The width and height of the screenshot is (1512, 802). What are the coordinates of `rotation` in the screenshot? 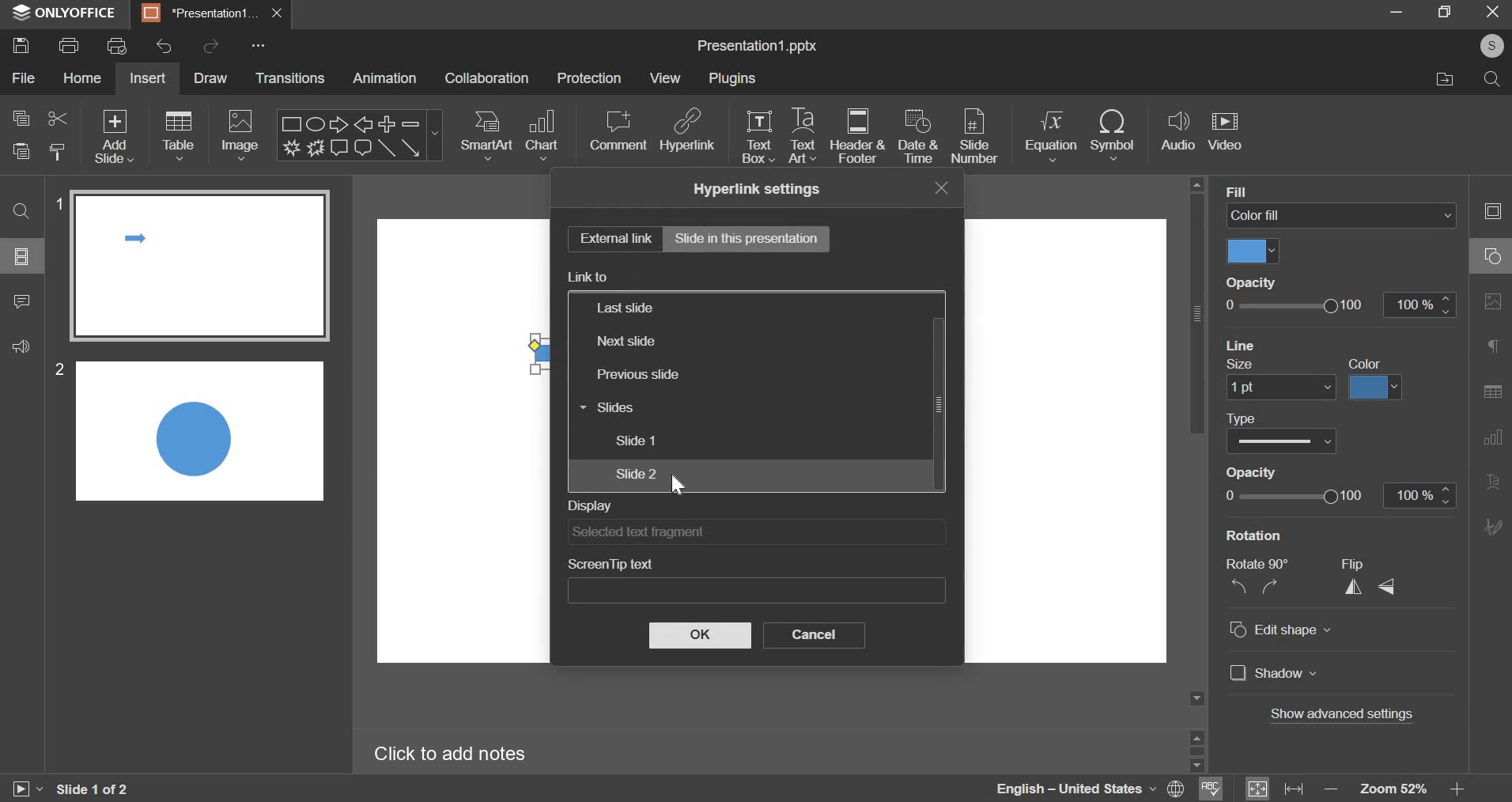 It's located at (1260, 535).